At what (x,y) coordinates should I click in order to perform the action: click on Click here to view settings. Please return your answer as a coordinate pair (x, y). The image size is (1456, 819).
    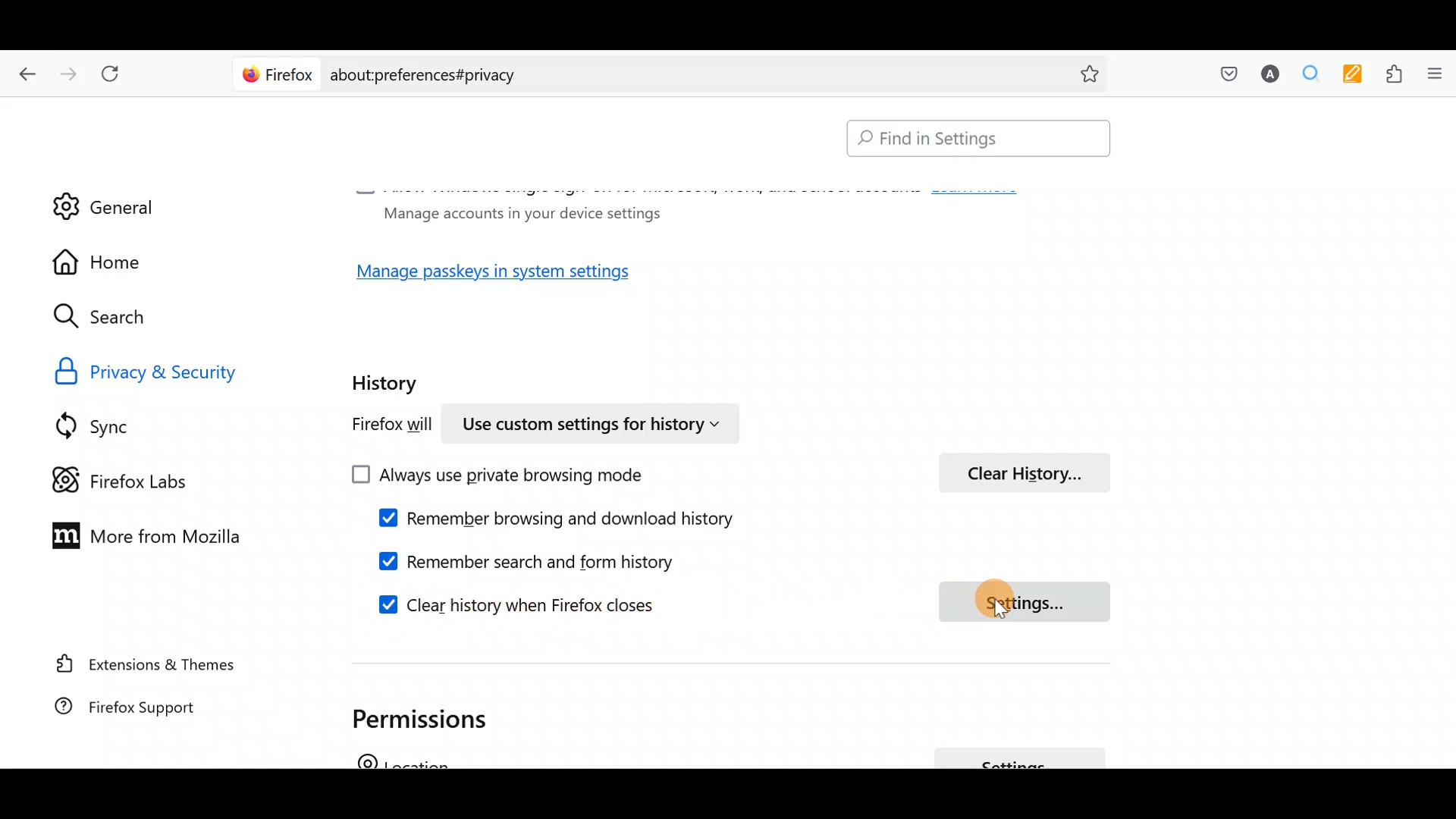
    Looking at the image, I should click on (1021, 603).